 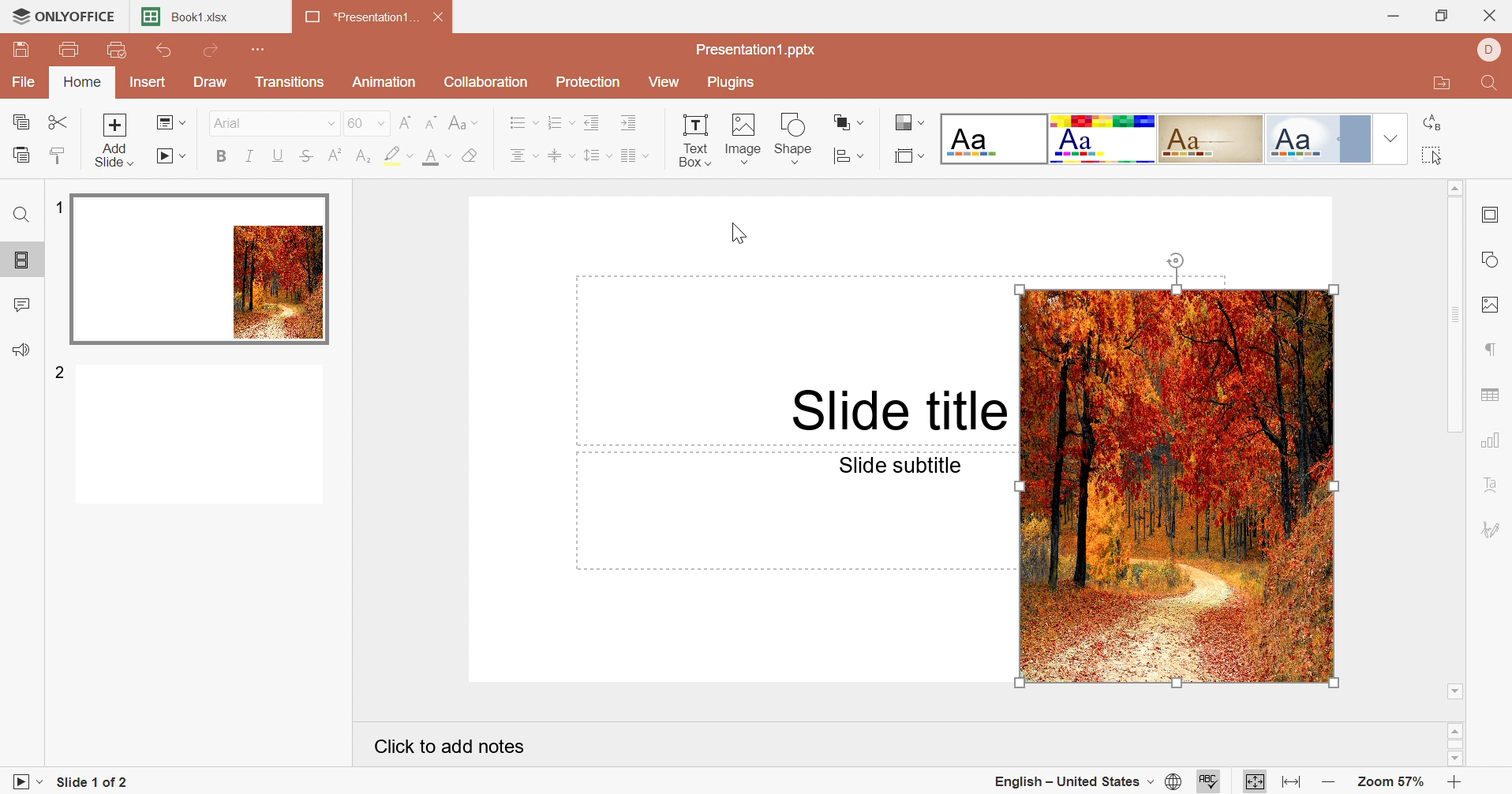 What do you see at coordinates (273, 124) in the screenshot?
I see `Arial` at bounding box center [273, 124].